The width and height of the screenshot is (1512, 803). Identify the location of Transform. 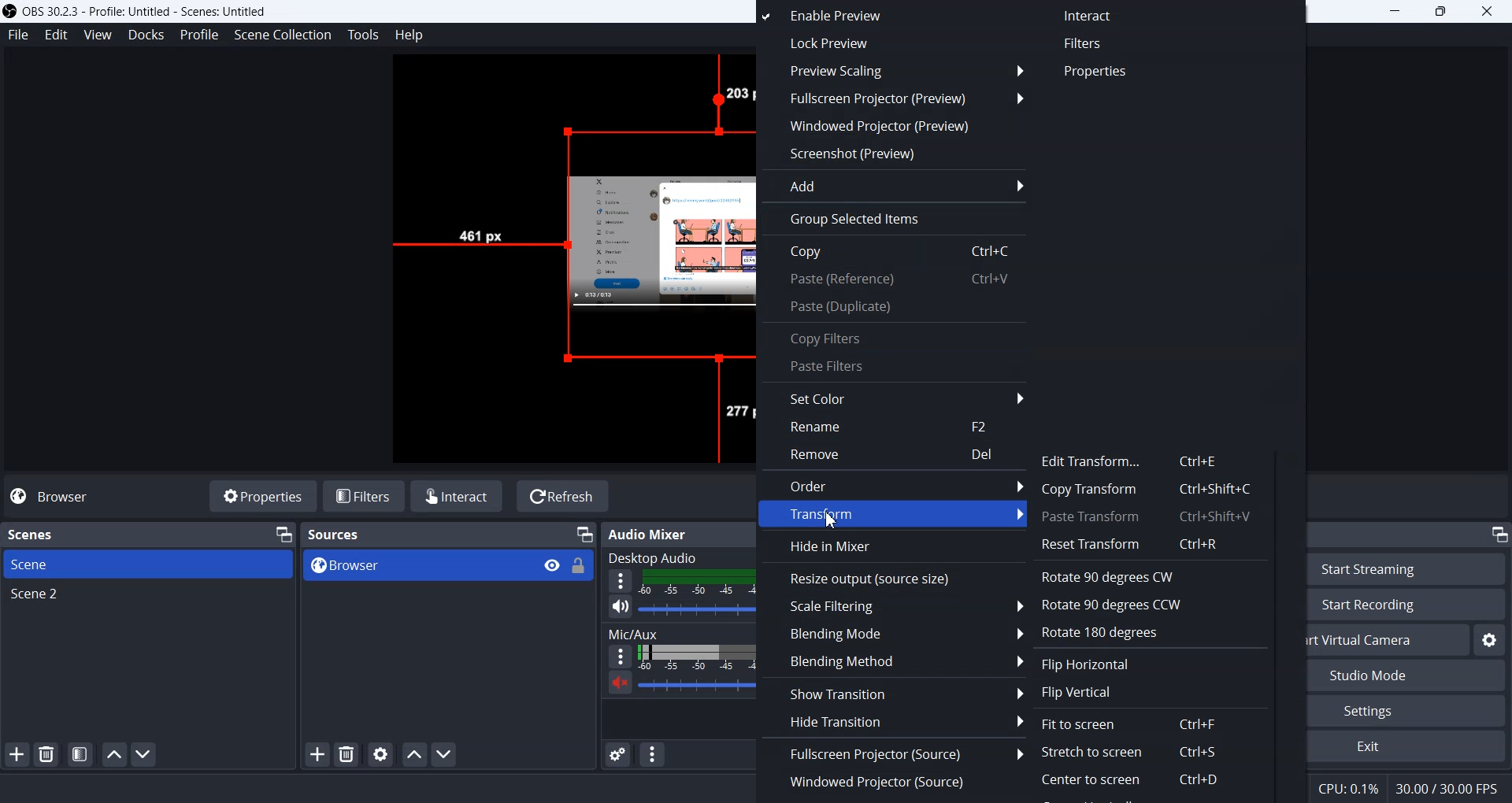
(895, 513).